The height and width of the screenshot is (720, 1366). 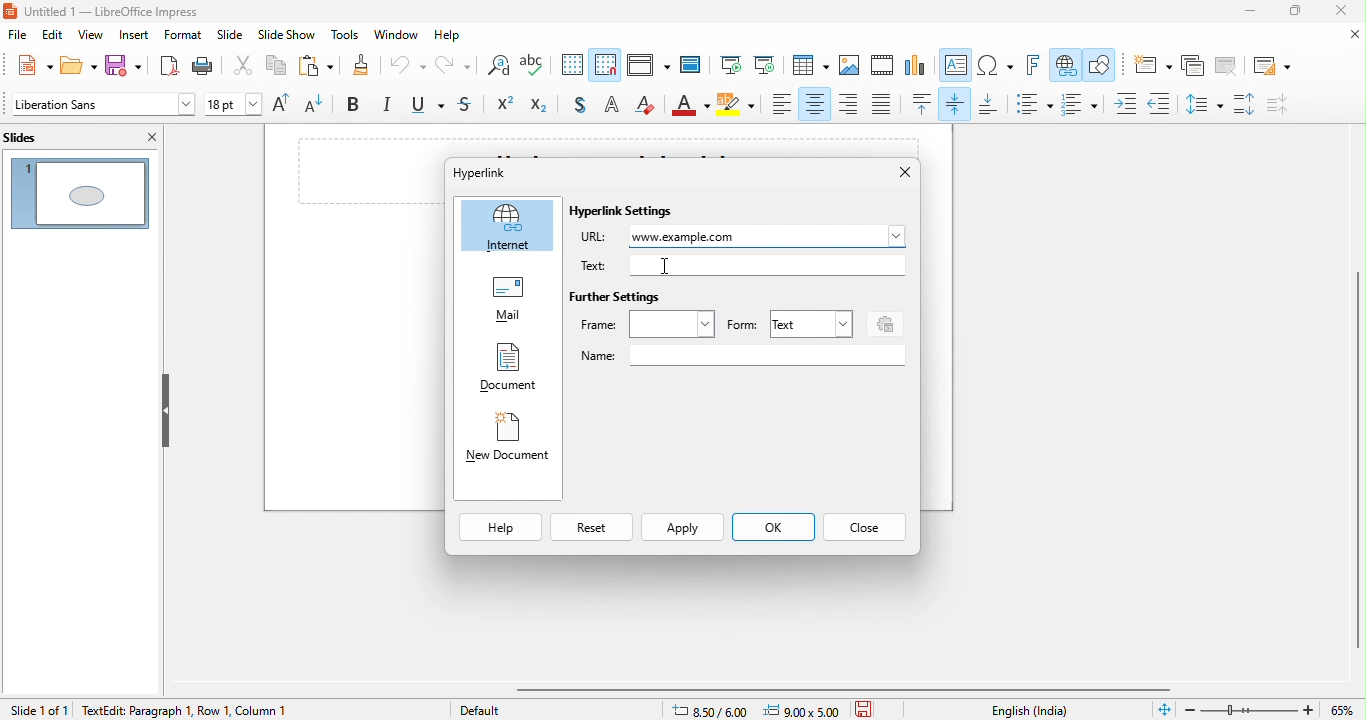 I want to click on align top, so click(x=923, y=104).